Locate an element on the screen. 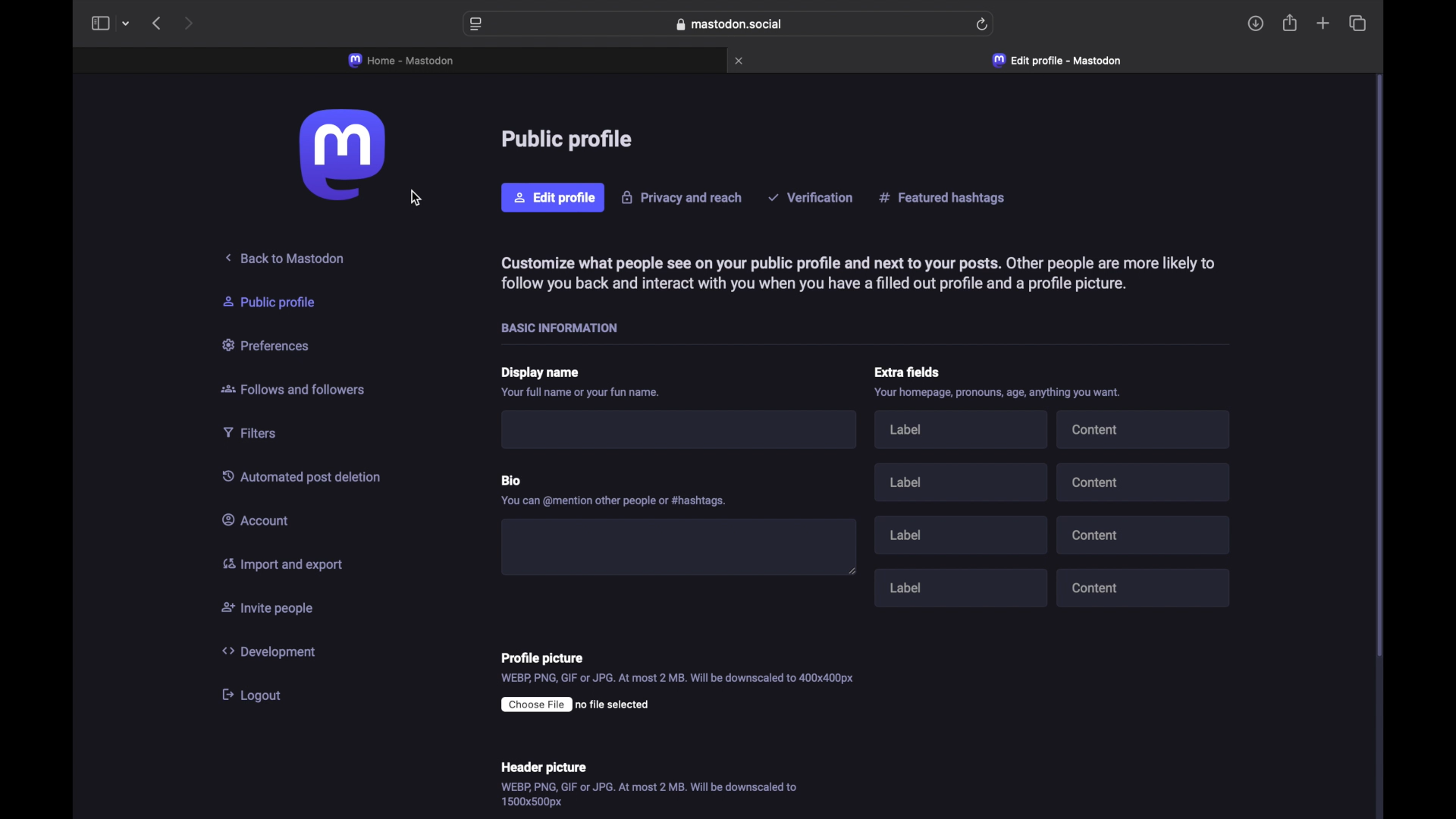 This screenshot has height=819, width=1456. info is located at coordinates (654, 795).